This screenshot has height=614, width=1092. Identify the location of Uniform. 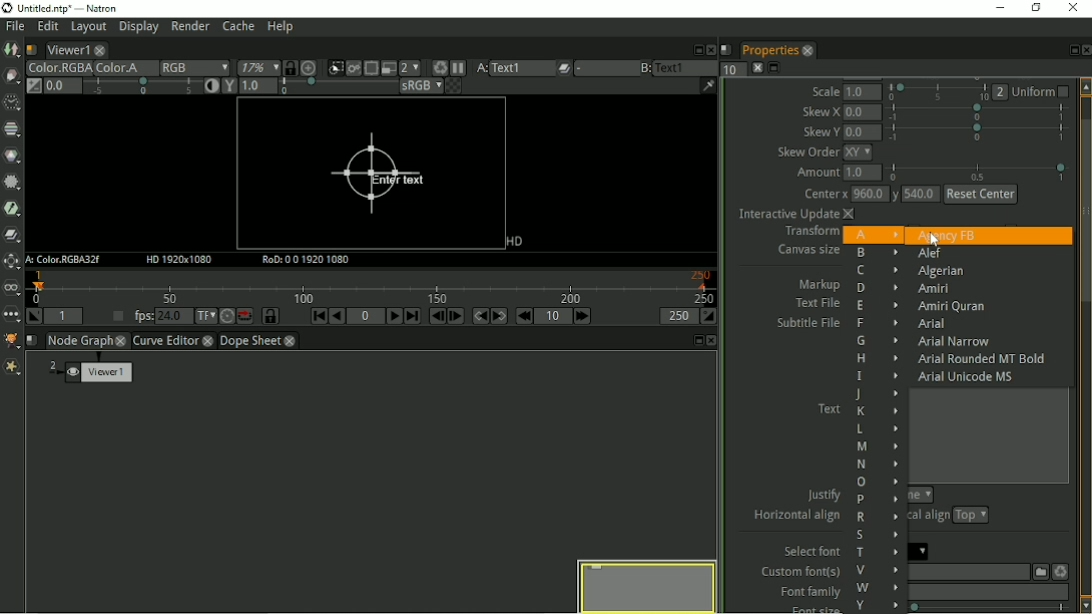
(1043, 91).